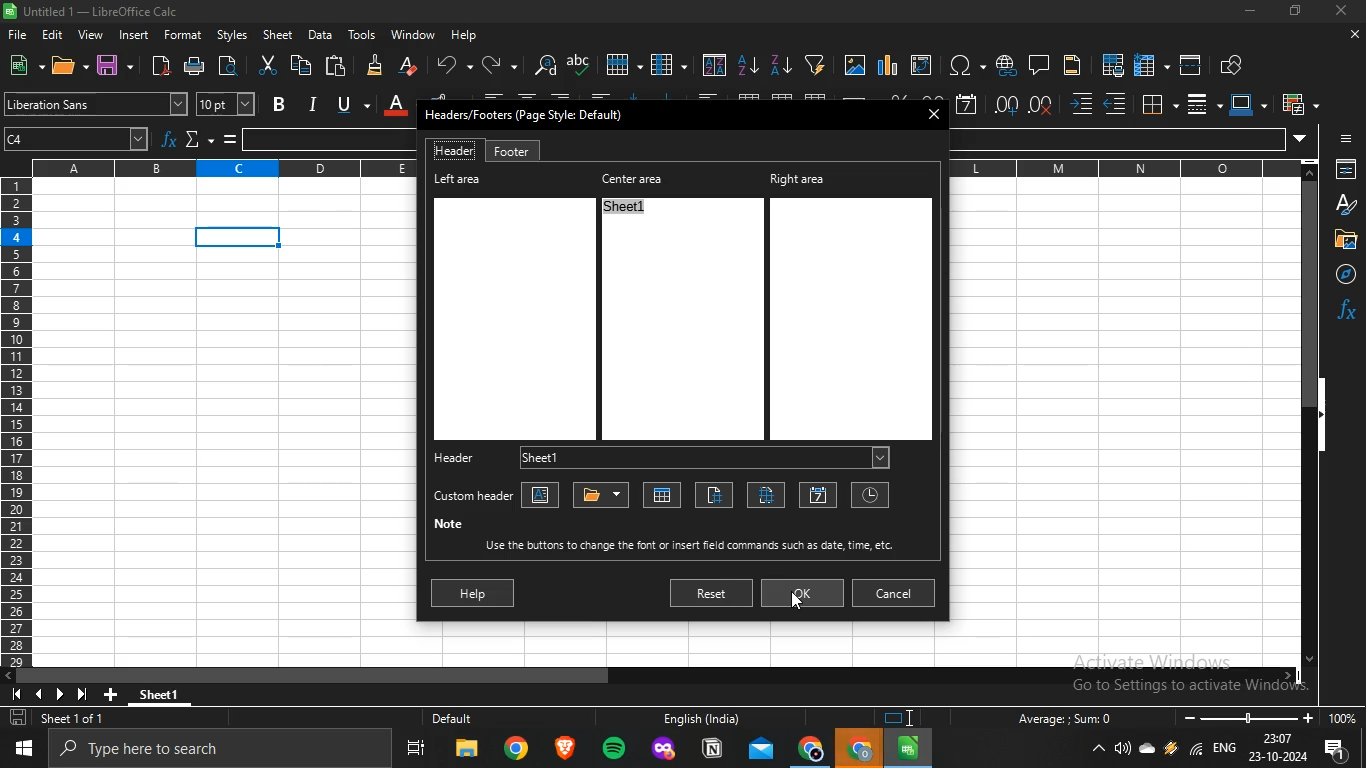  What do you see at coordinates (15, 426) in the screenshot?
I see `row` at bounding box center [15, 426].